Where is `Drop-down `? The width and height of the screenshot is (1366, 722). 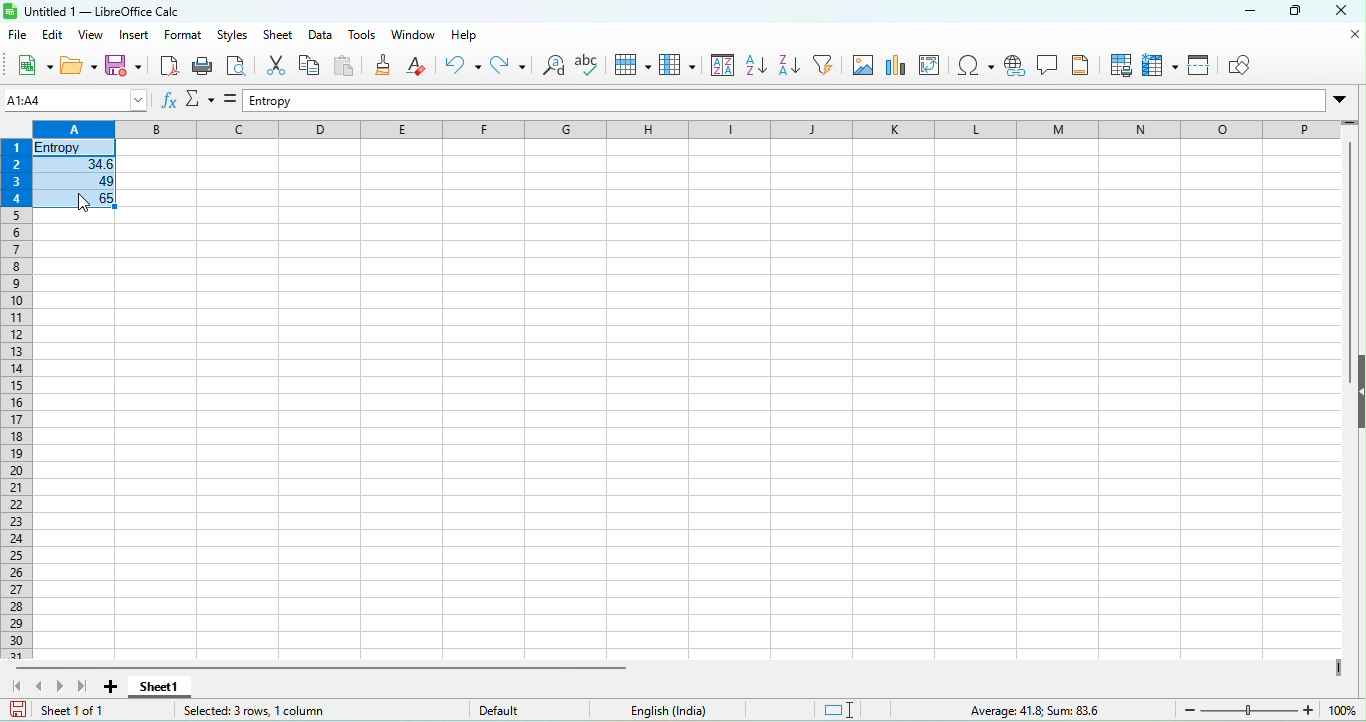 Drop-down  is located at coordinates (1344, 100).